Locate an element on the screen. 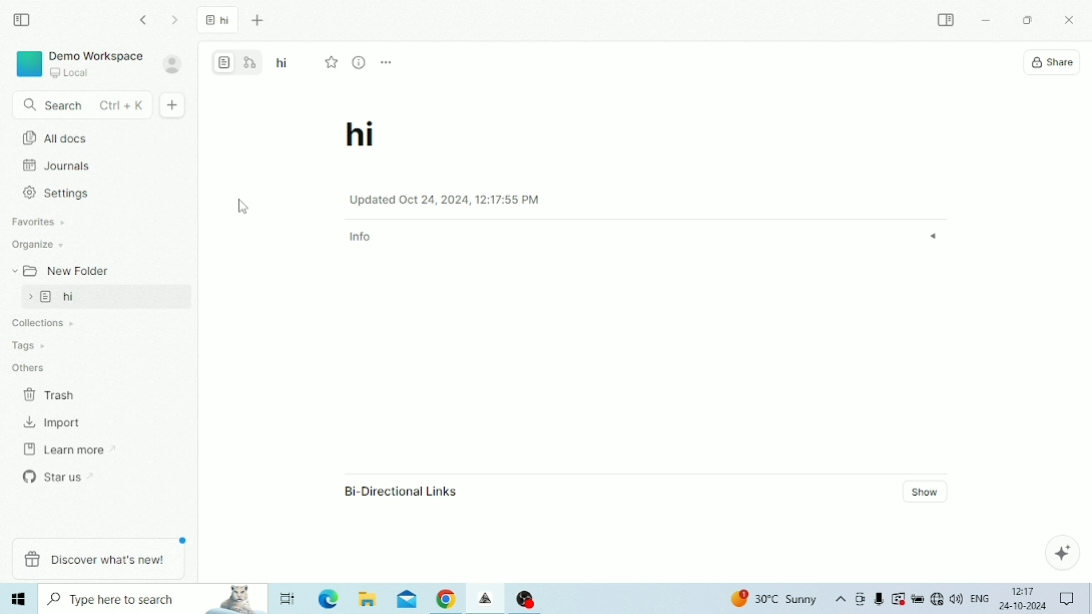  New tab is located at coordinates (260, 22).